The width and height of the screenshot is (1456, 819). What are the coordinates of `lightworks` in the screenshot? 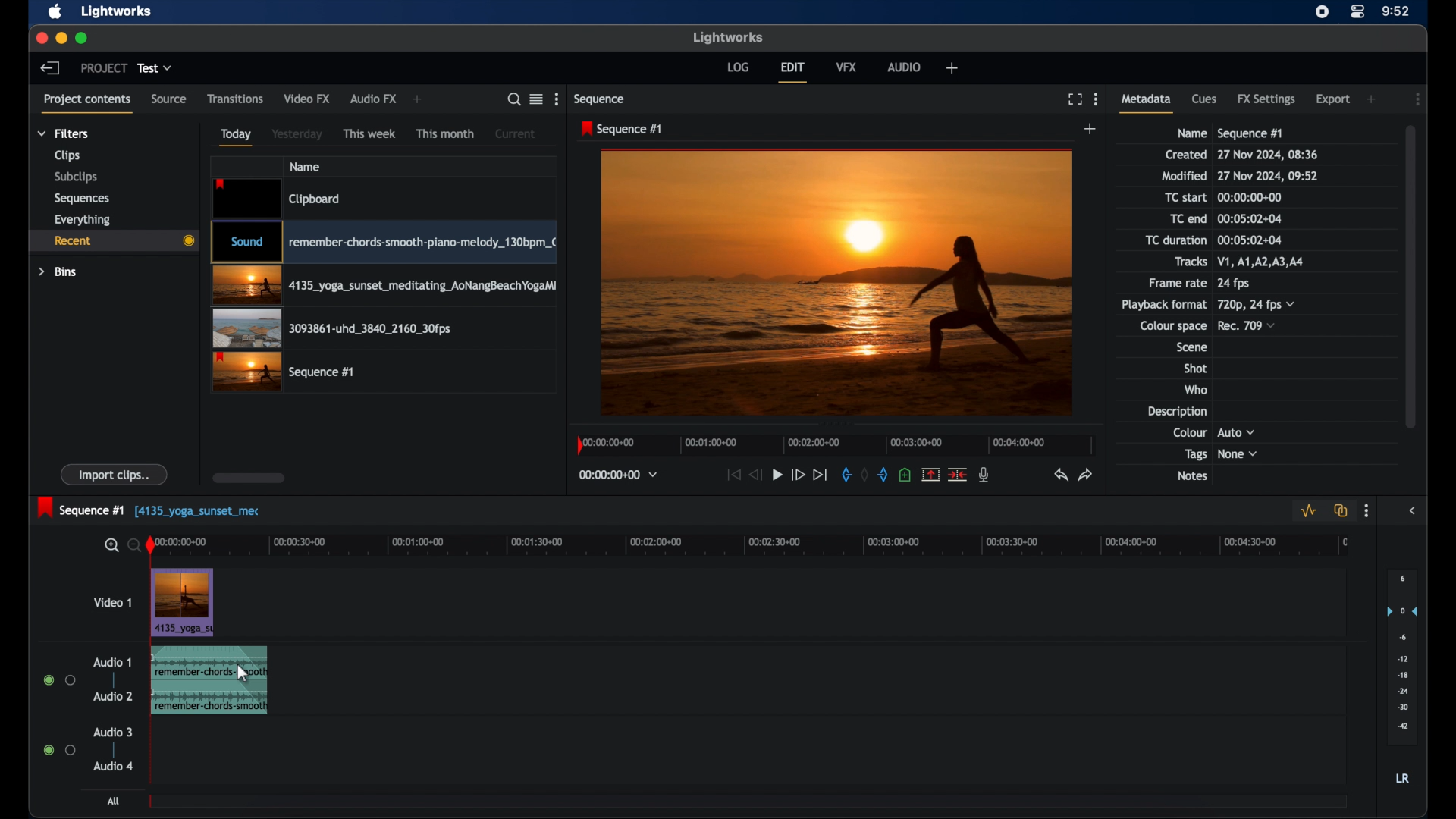 It's located at (115, 12).